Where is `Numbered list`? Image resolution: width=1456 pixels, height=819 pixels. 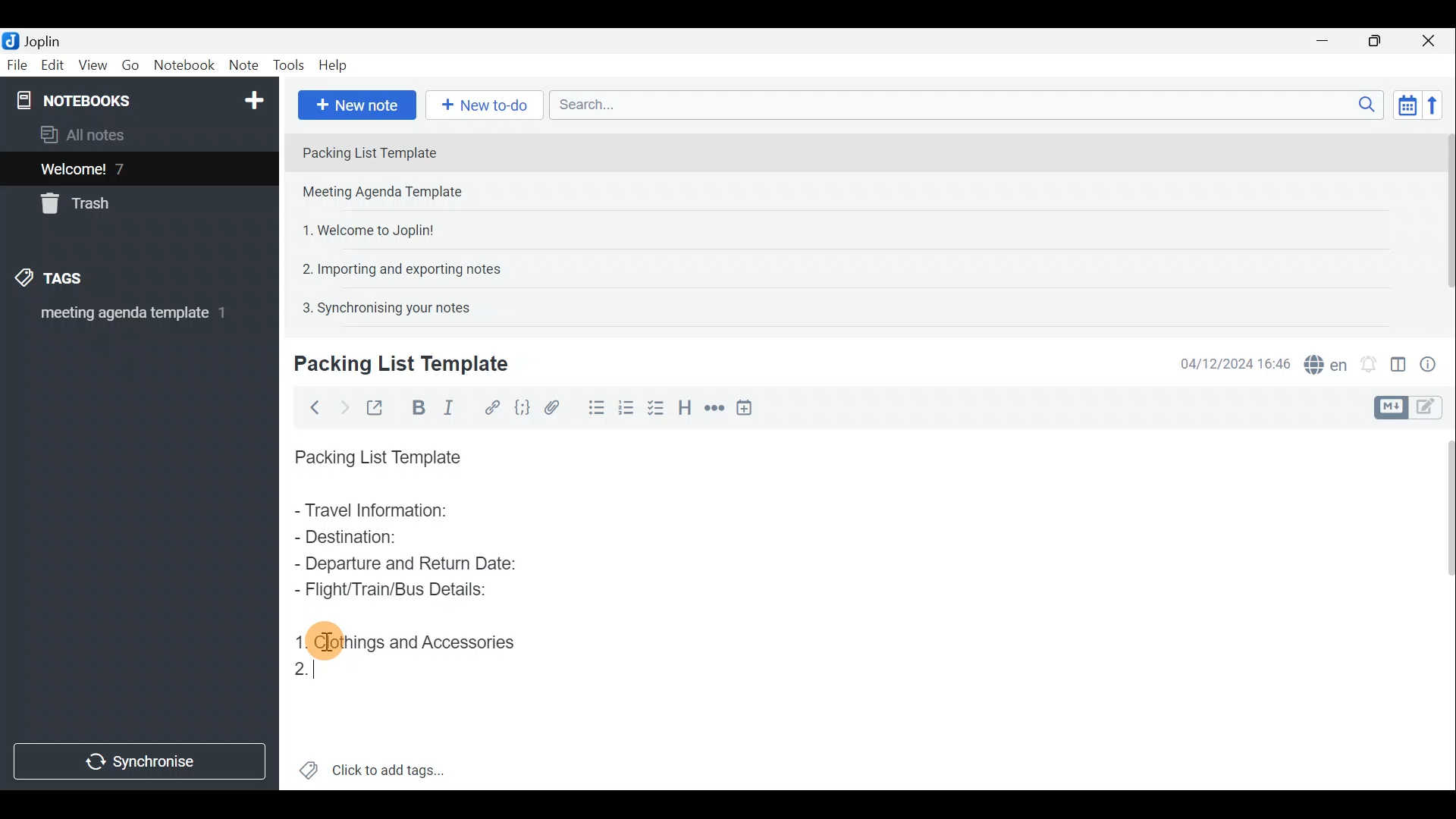 Numbered list is located at coordinates (657, 407).